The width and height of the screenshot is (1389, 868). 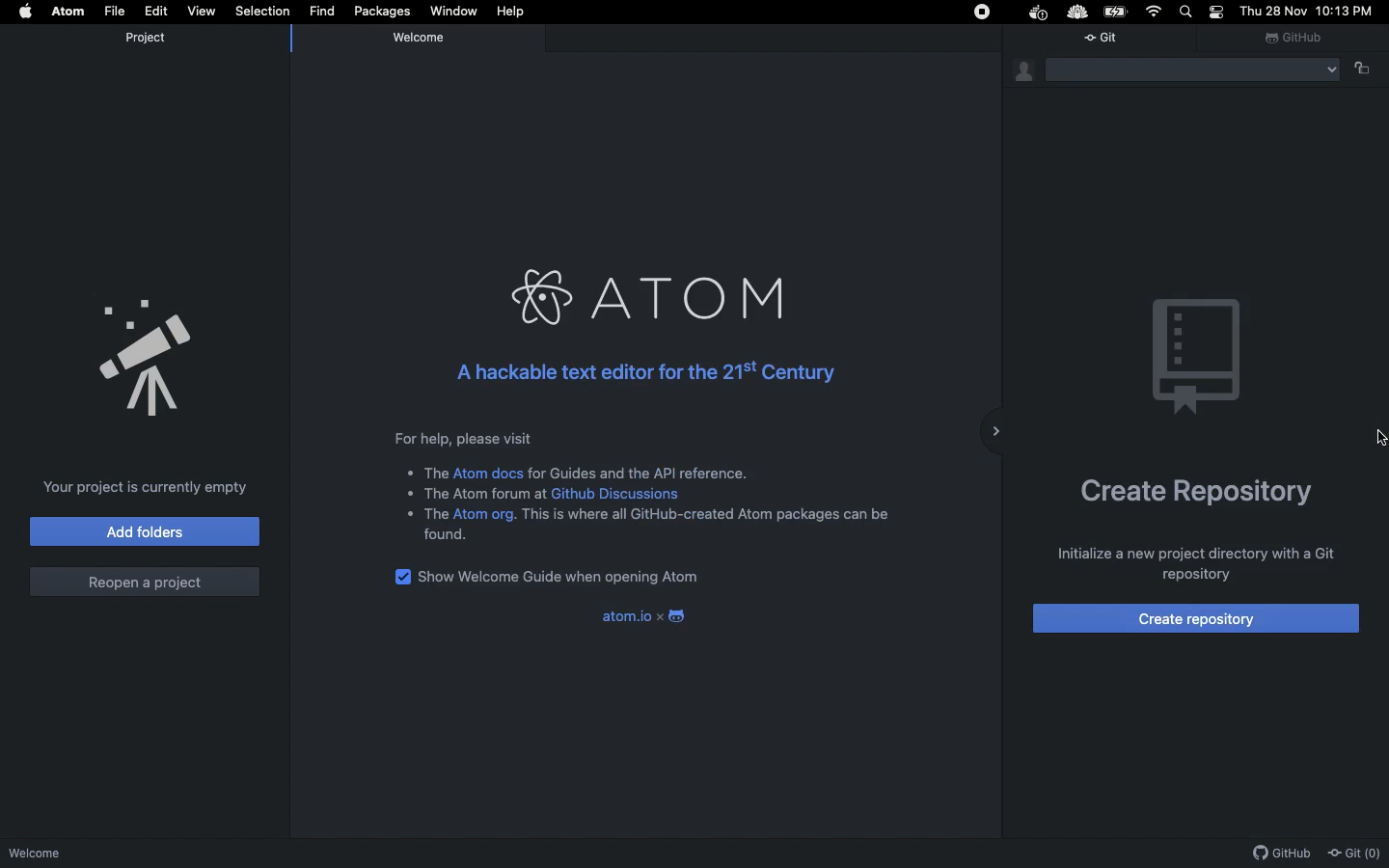 I want to click on Git identity, so click(x=1022, y=72).